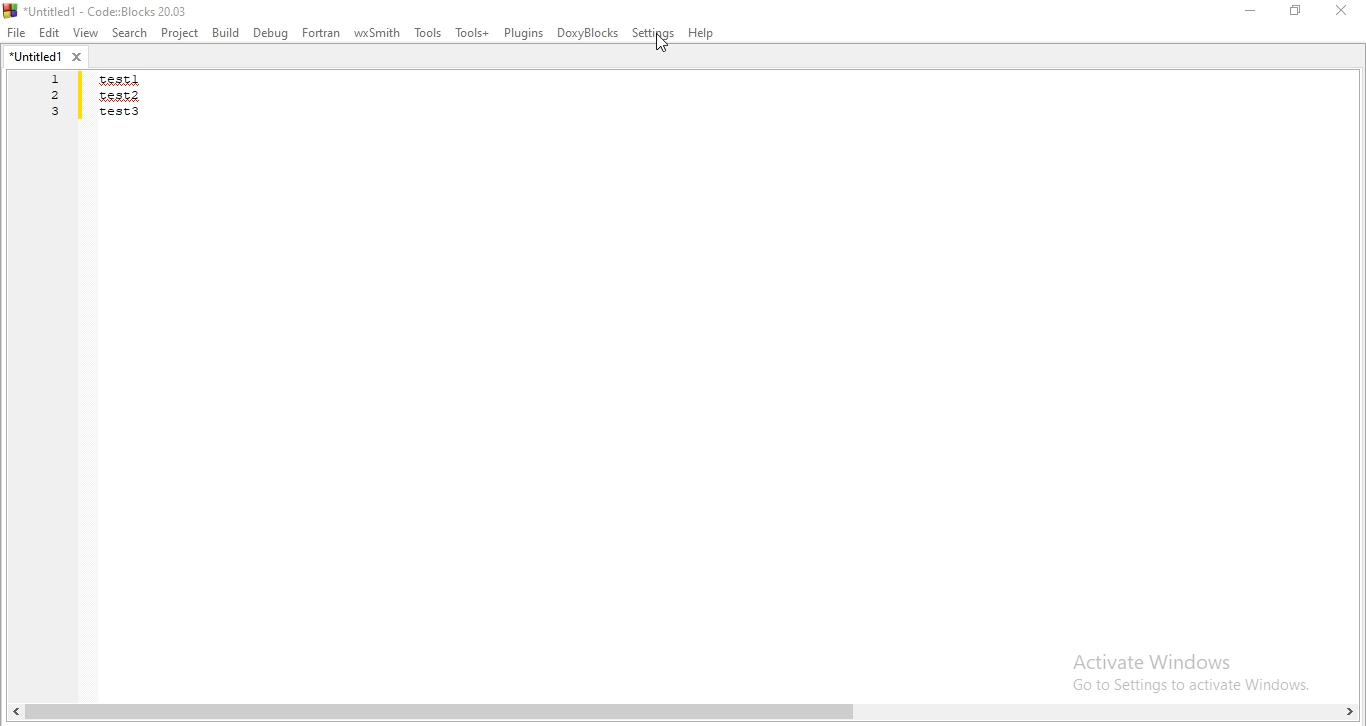 The image size is (1366, 726). I want to click on test2, so click(118, 95).